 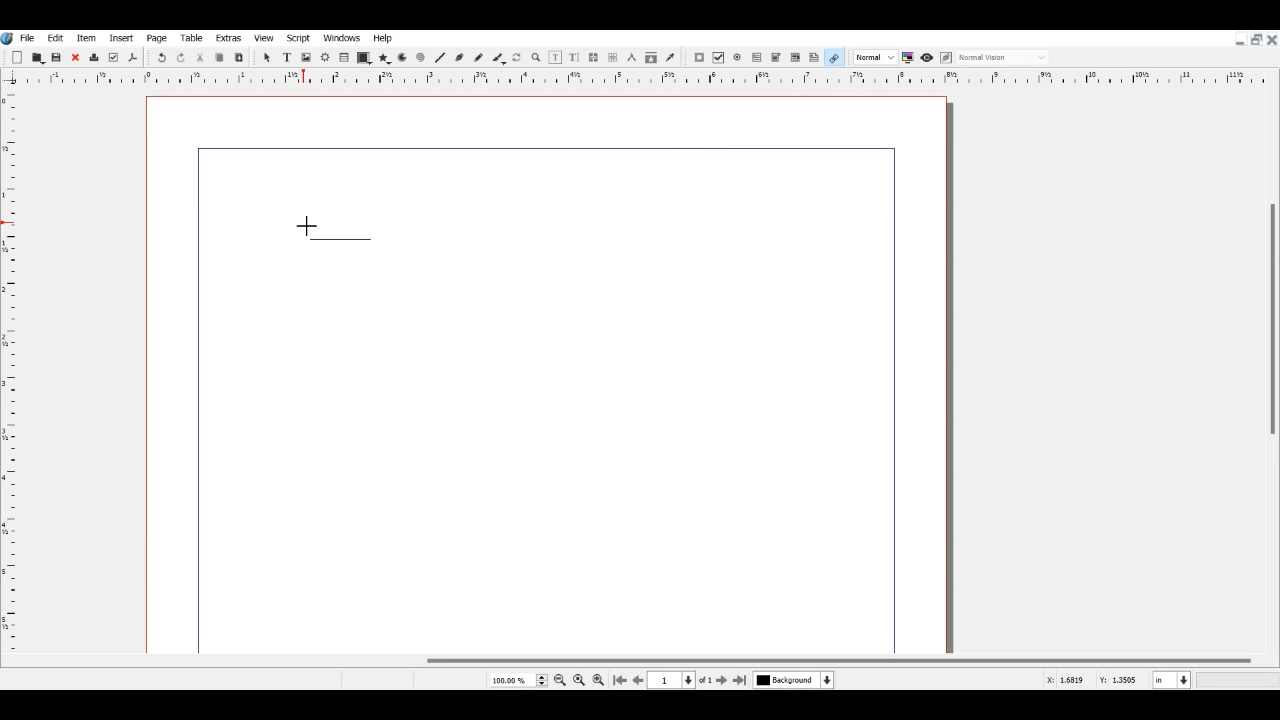 What do you see at coordinates (8, 38) in the screenshot?
I see `Logo` at bounding box center [8, 38].